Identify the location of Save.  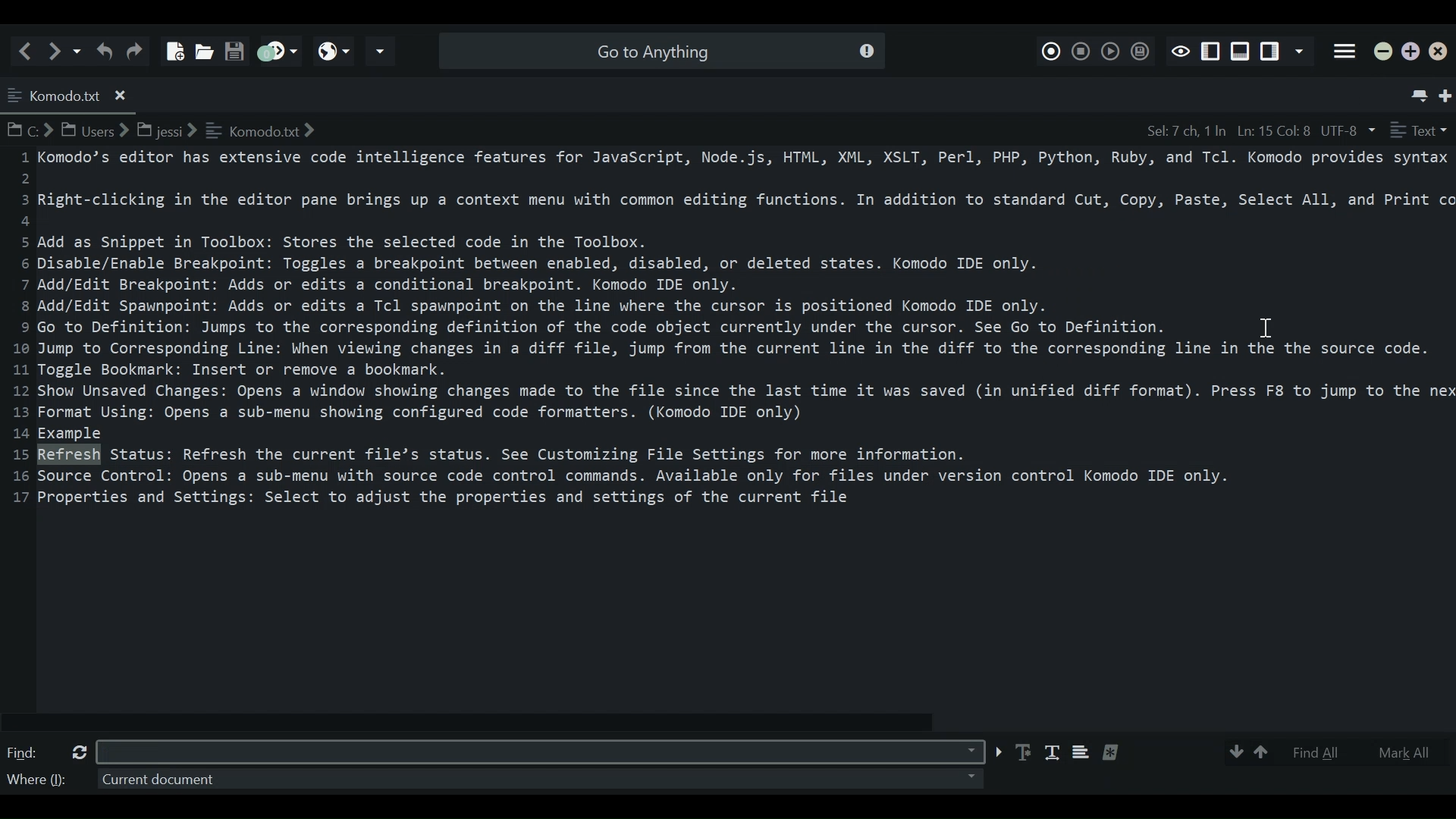
(234, 46).